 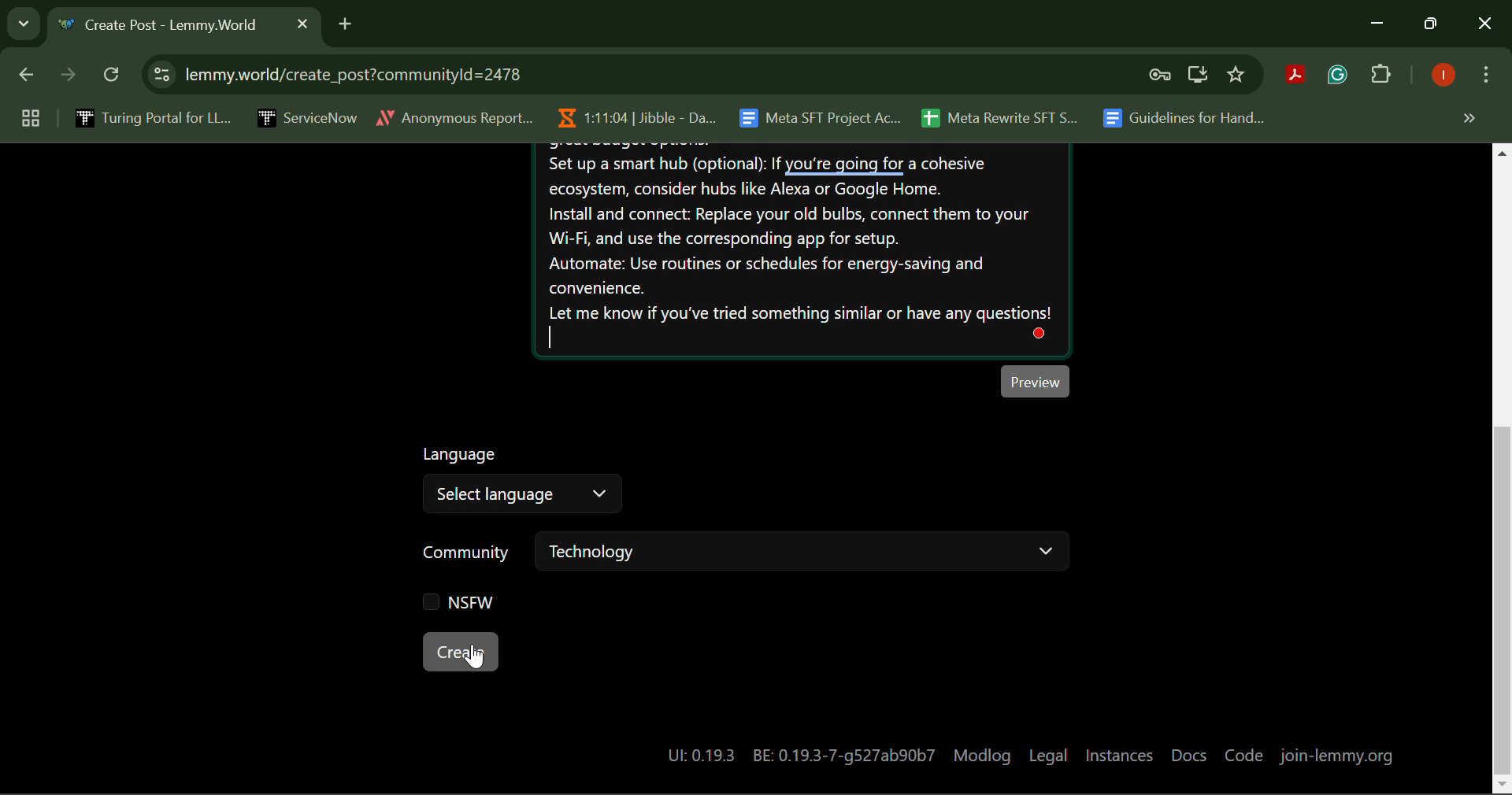 I want to click on Browser Extension, so click(x=1299, y=76).